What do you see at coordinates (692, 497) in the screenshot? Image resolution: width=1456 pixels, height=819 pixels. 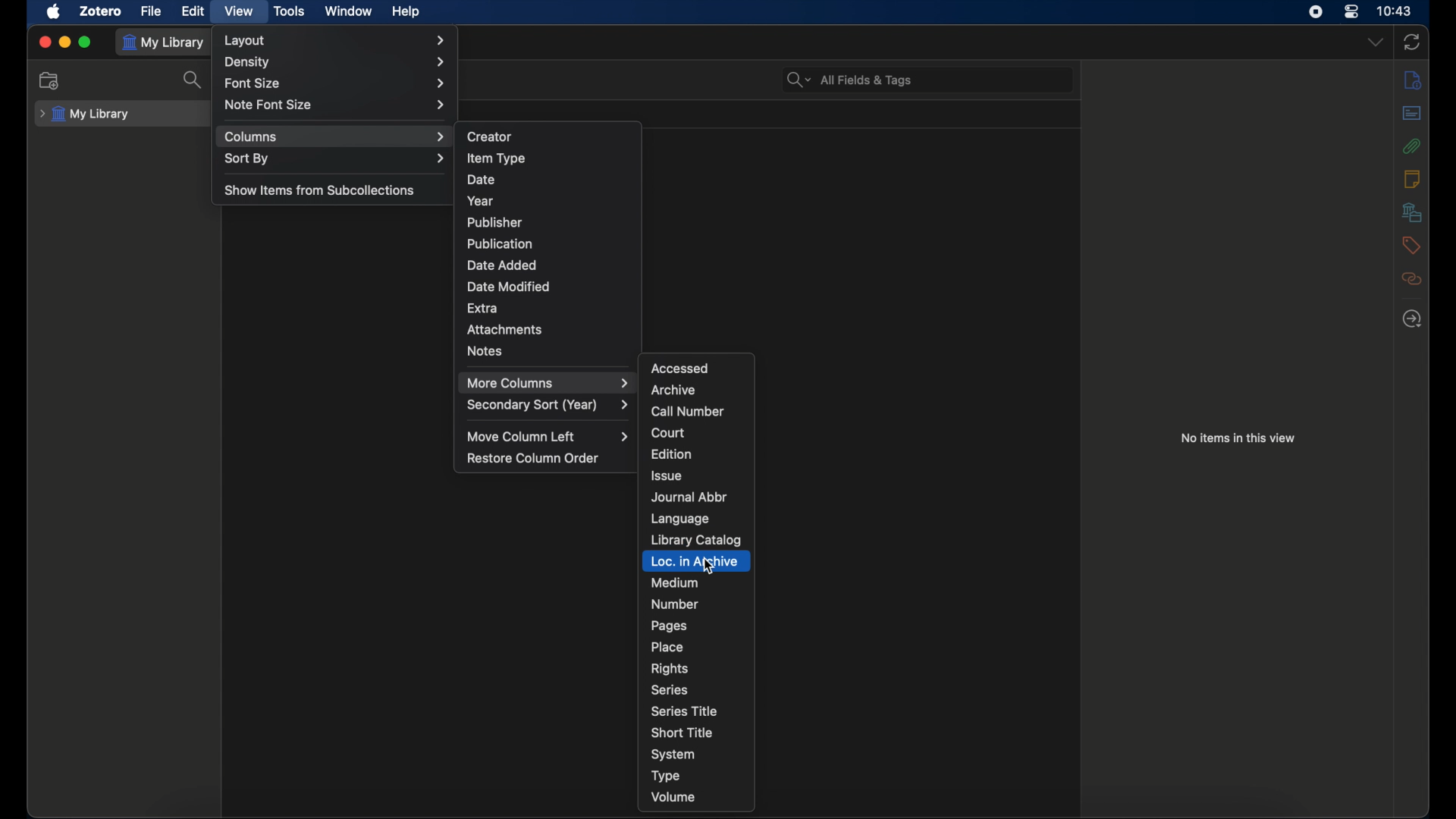 I see `journal abbr` at bounding box center [692, 497].